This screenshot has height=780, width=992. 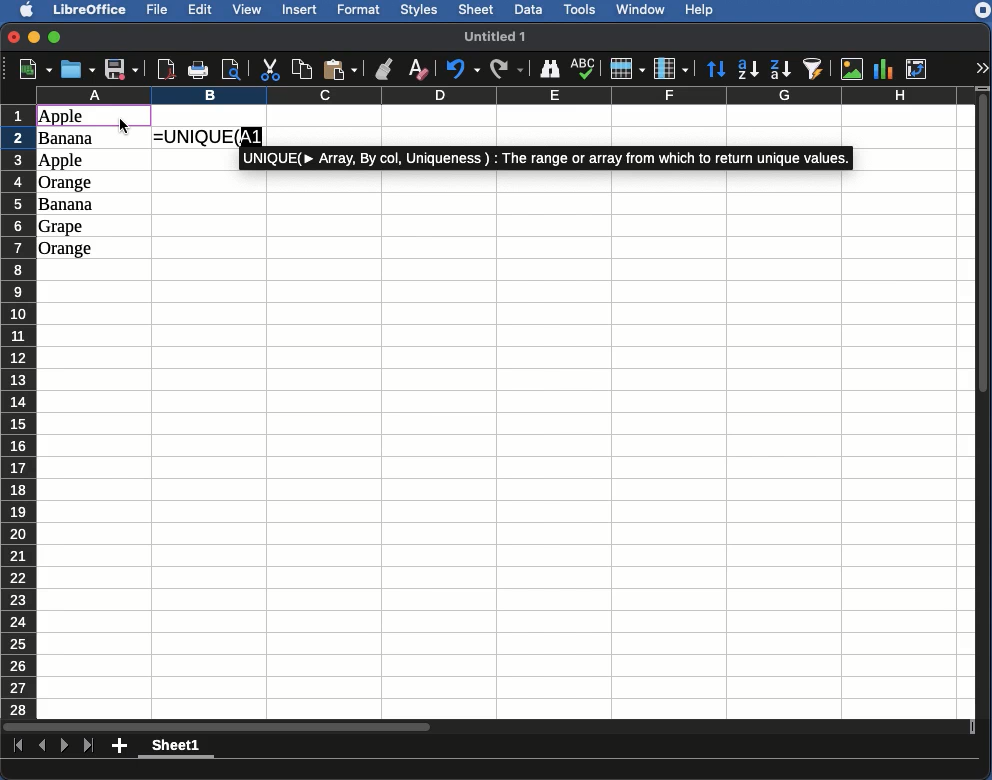 I want to click on Scroll, so click(x=486, y=727).